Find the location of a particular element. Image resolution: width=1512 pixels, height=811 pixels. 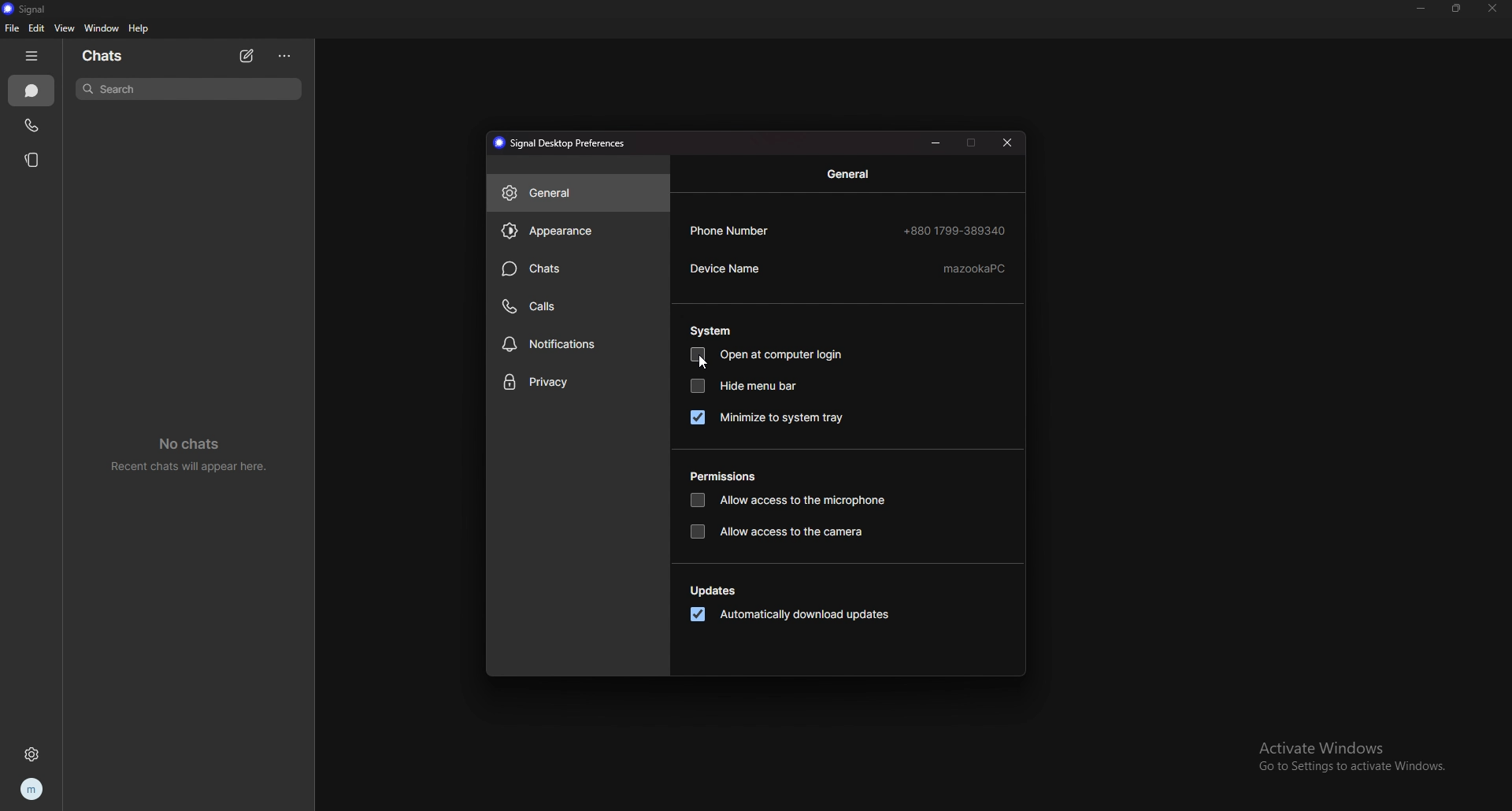

chats is located at coordinates (33, 91).